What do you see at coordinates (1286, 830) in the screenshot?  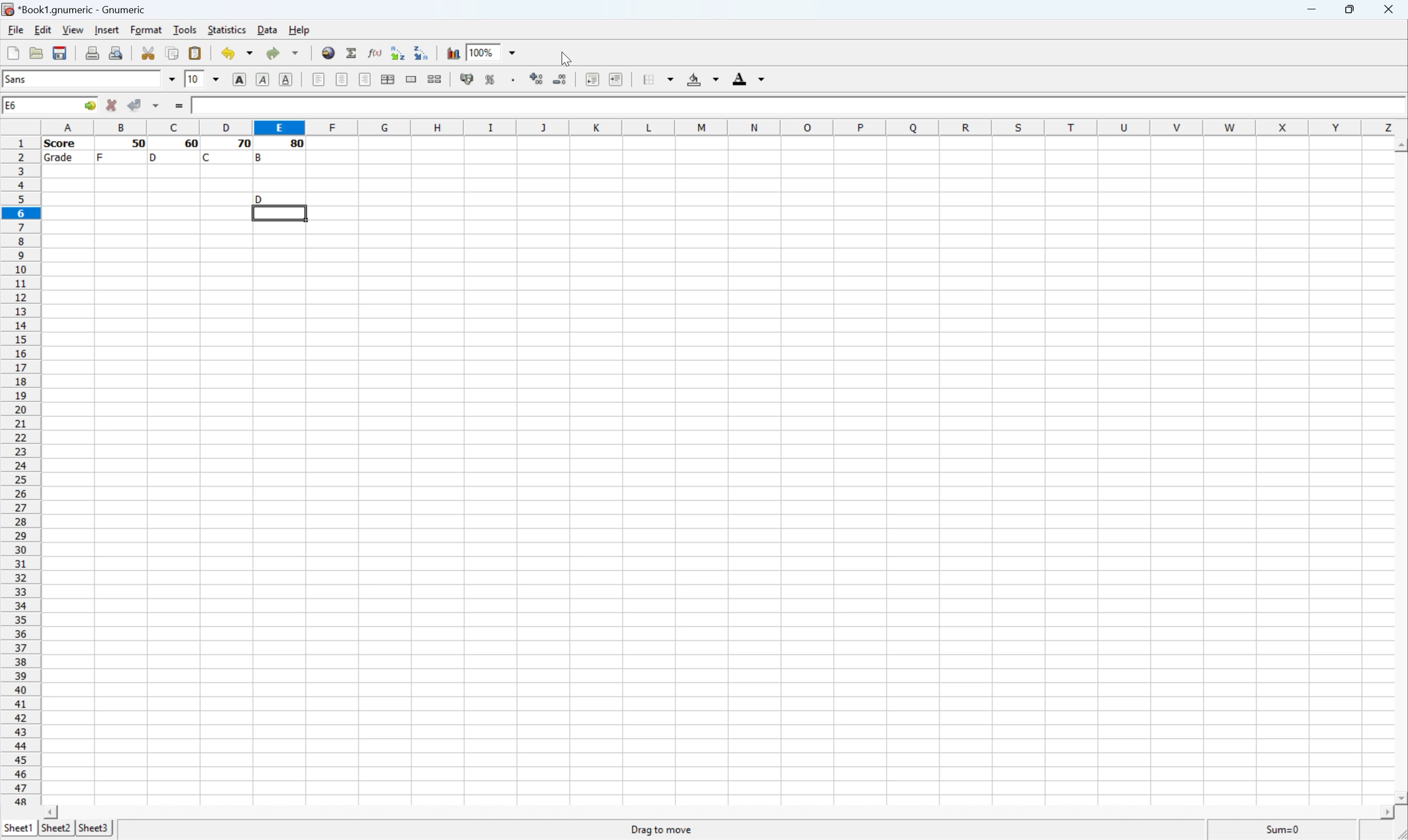 I see `Sum=0` at bounding box center [1286, 830].